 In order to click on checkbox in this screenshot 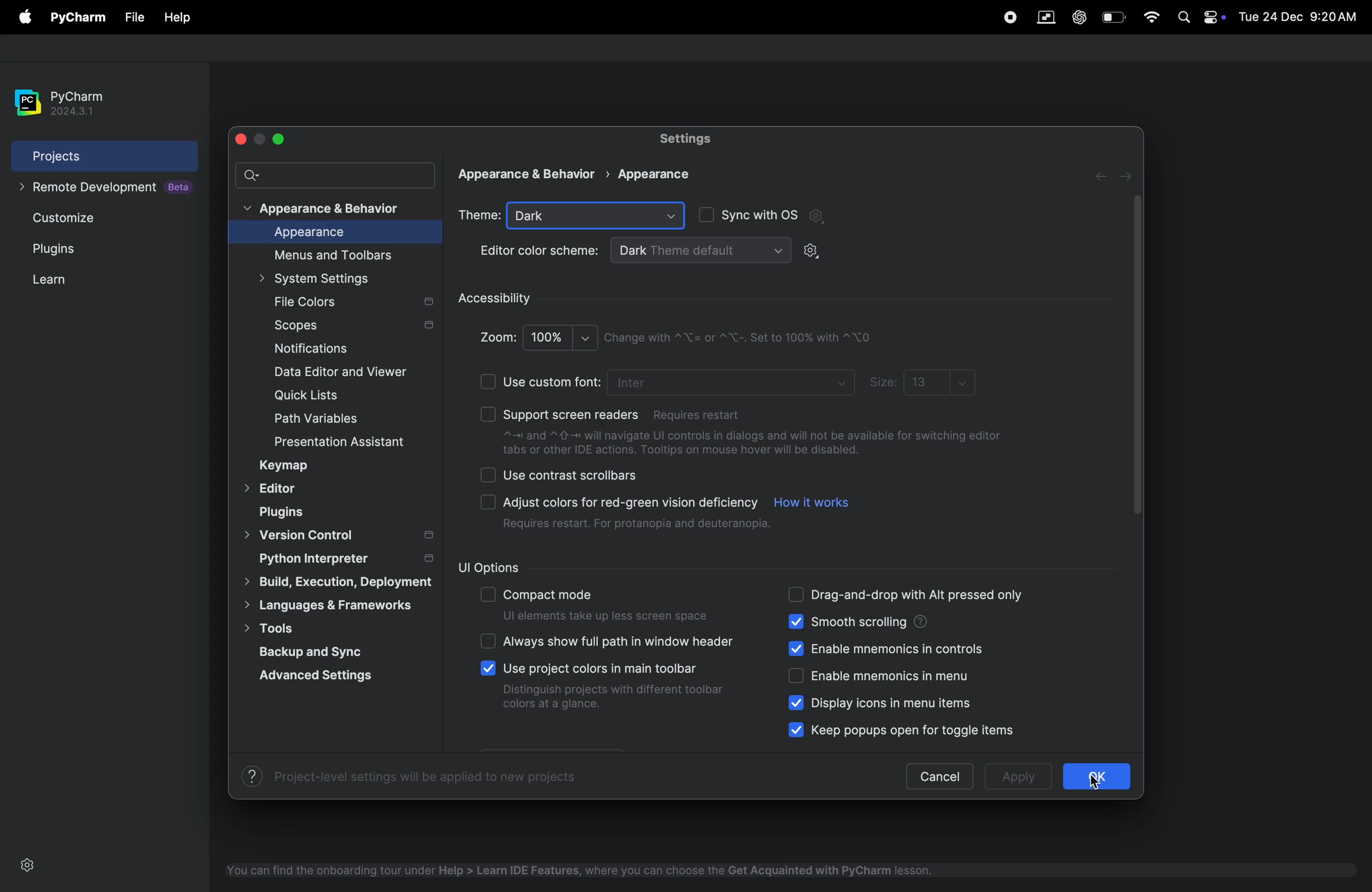, I will do `click(797, 595)`.